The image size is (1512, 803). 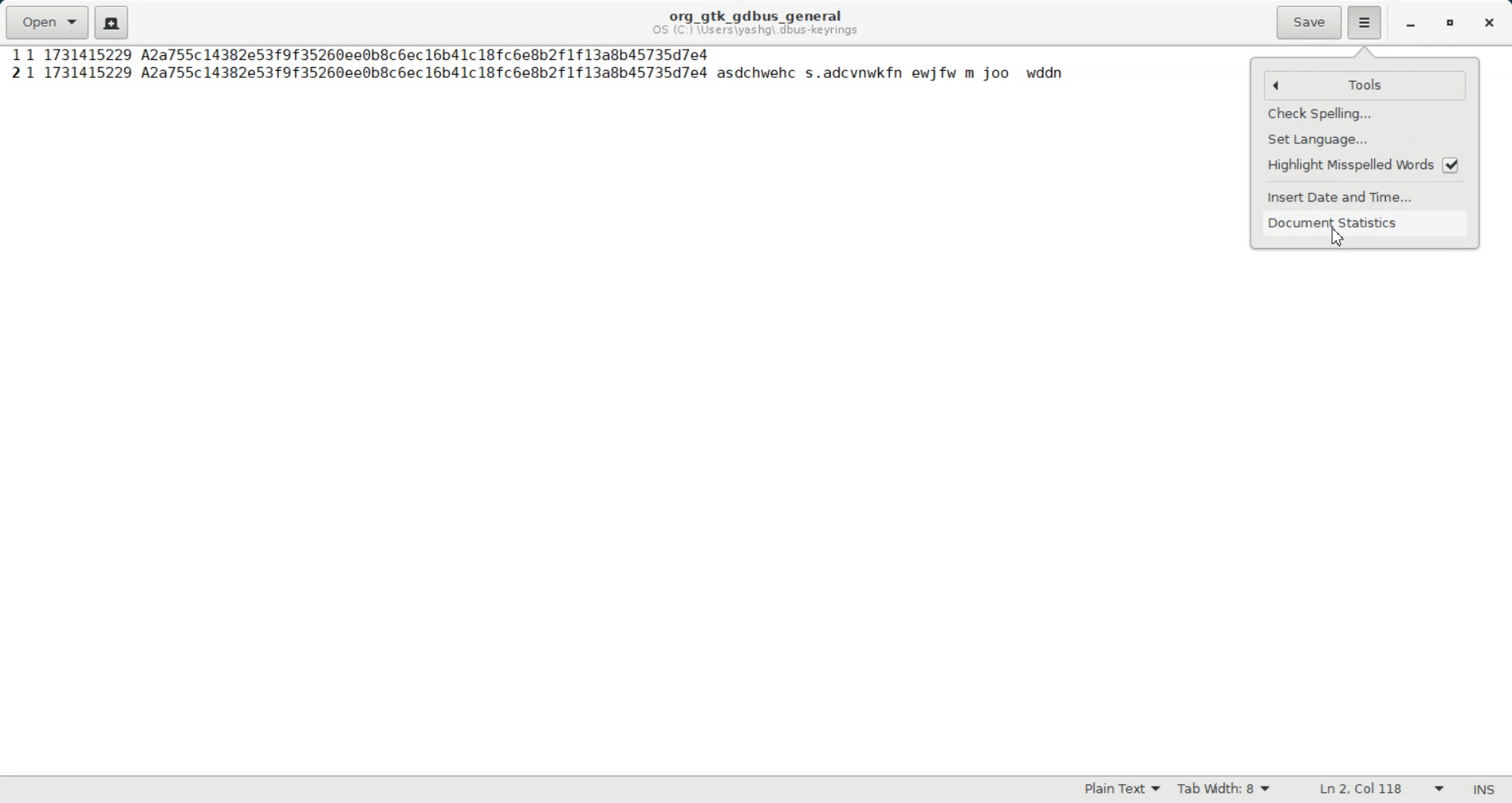 What do you see at coordinates (1308, 23) in the screenshot?
I see `Save` at bounding box center [1308, 23].